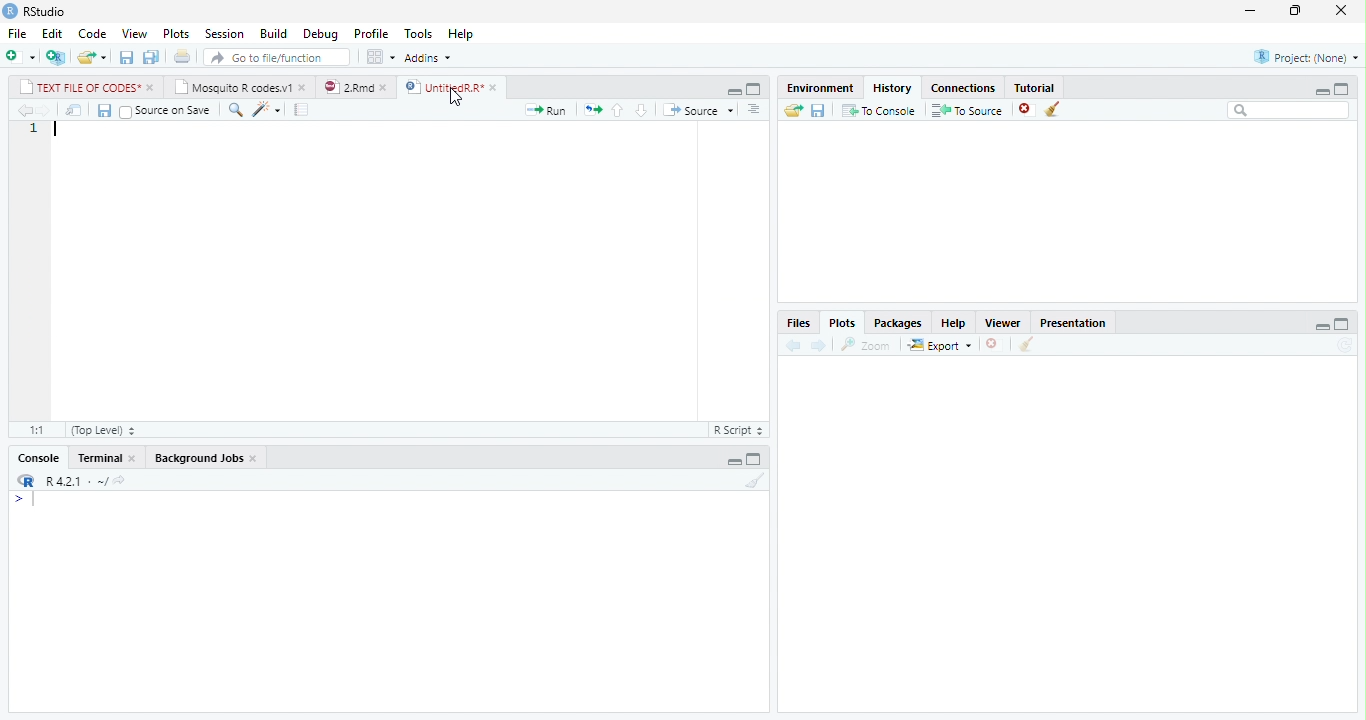 Image resolution: width=1366 pixels, height=720 pixels. I want to click on clean, so click(1027, 344).